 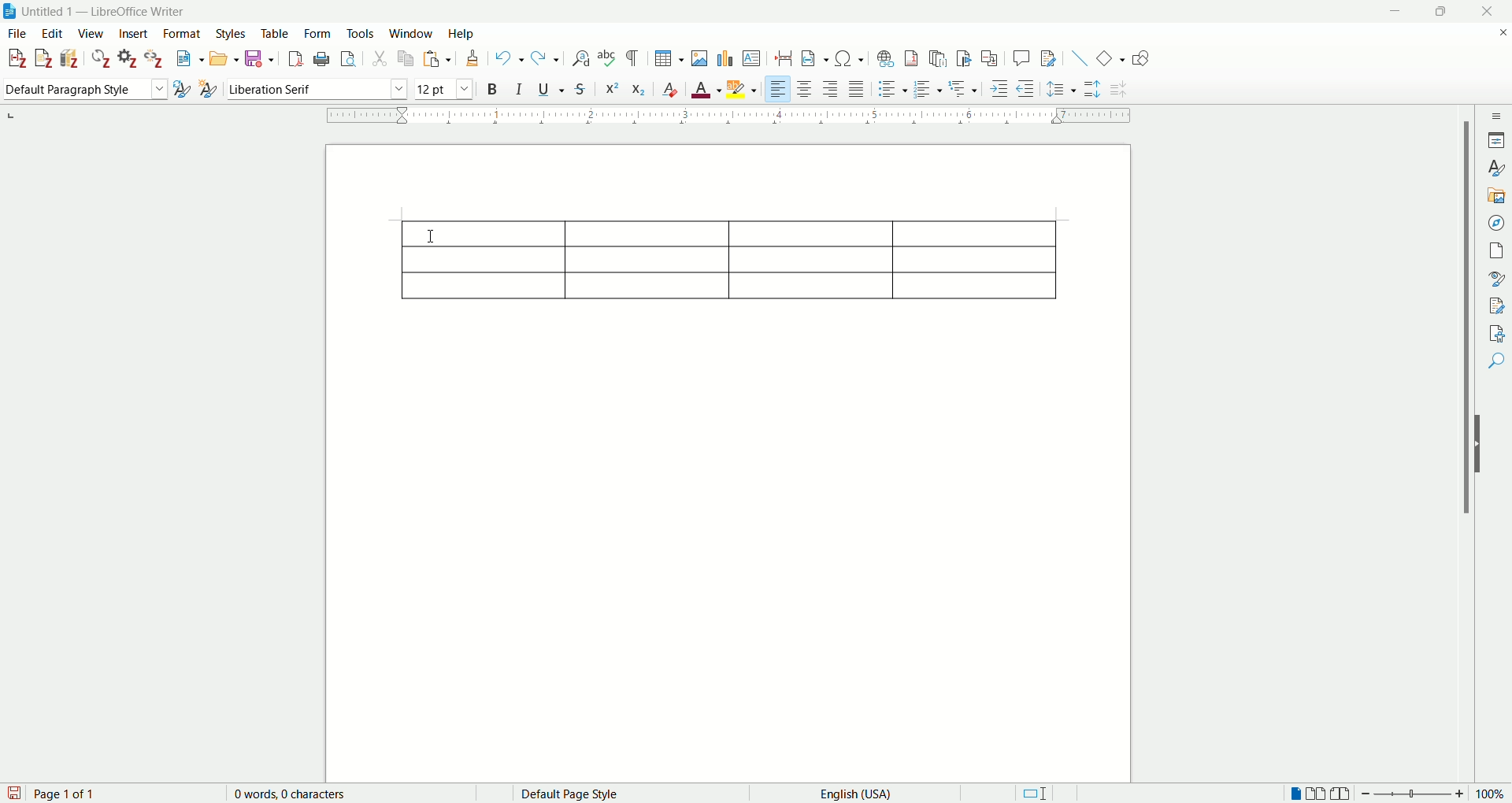 What do you see at coordinates (814, 58) in the screenshot?
I see `insert field` at bounding box center [814, 58].